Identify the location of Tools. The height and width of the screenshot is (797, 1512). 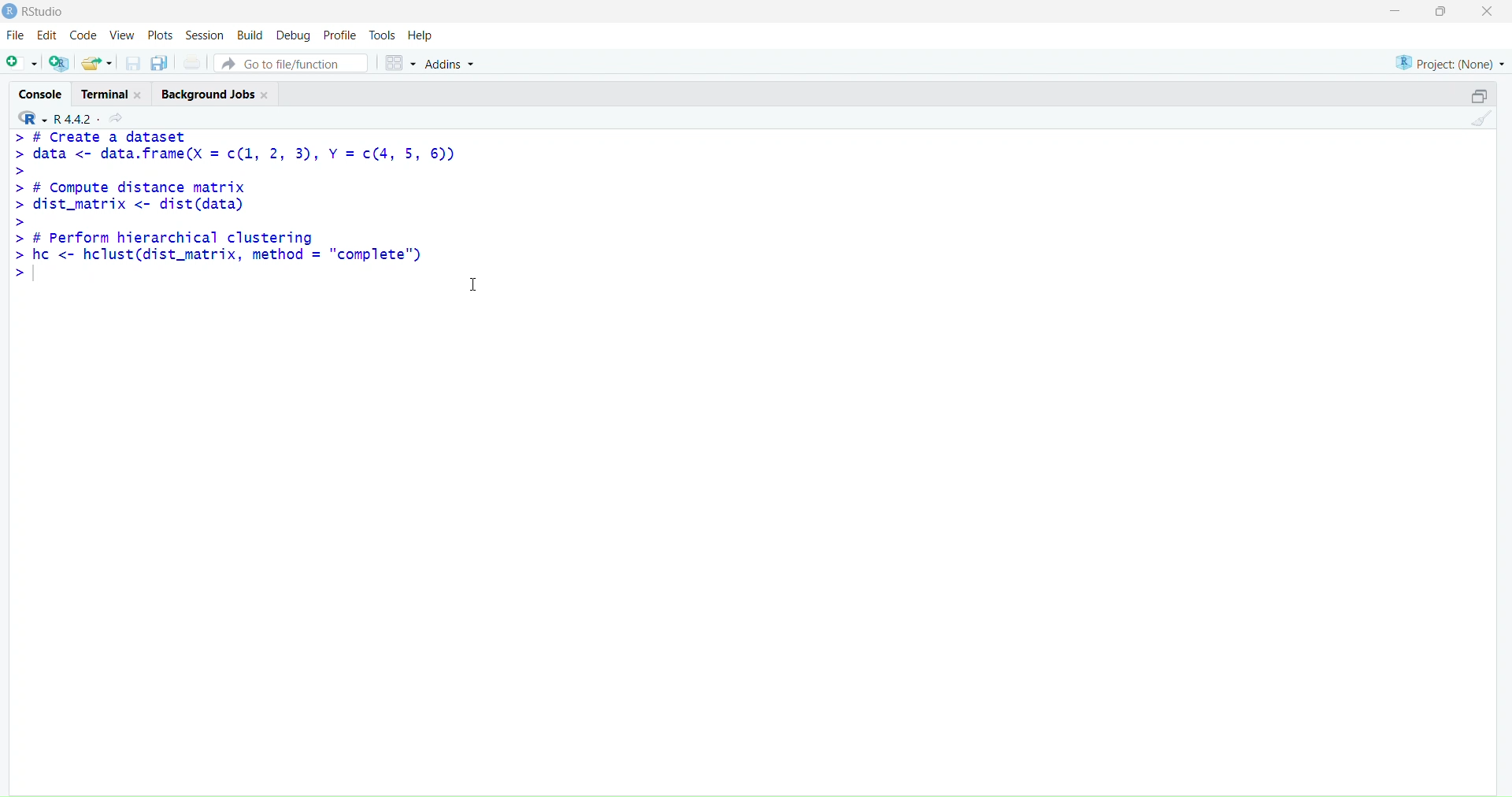
(380, 36).